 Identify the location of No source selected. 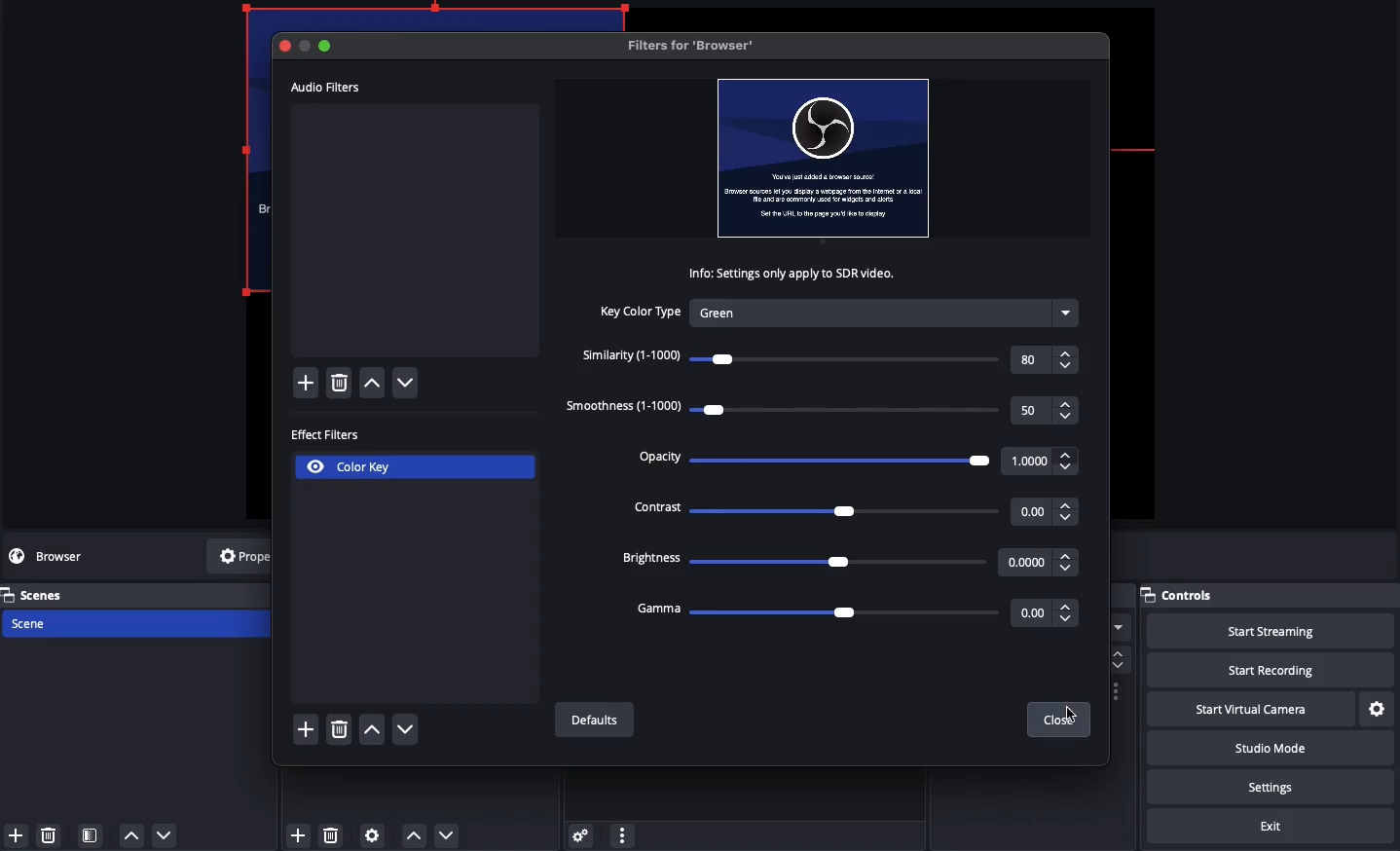
(63, 556).